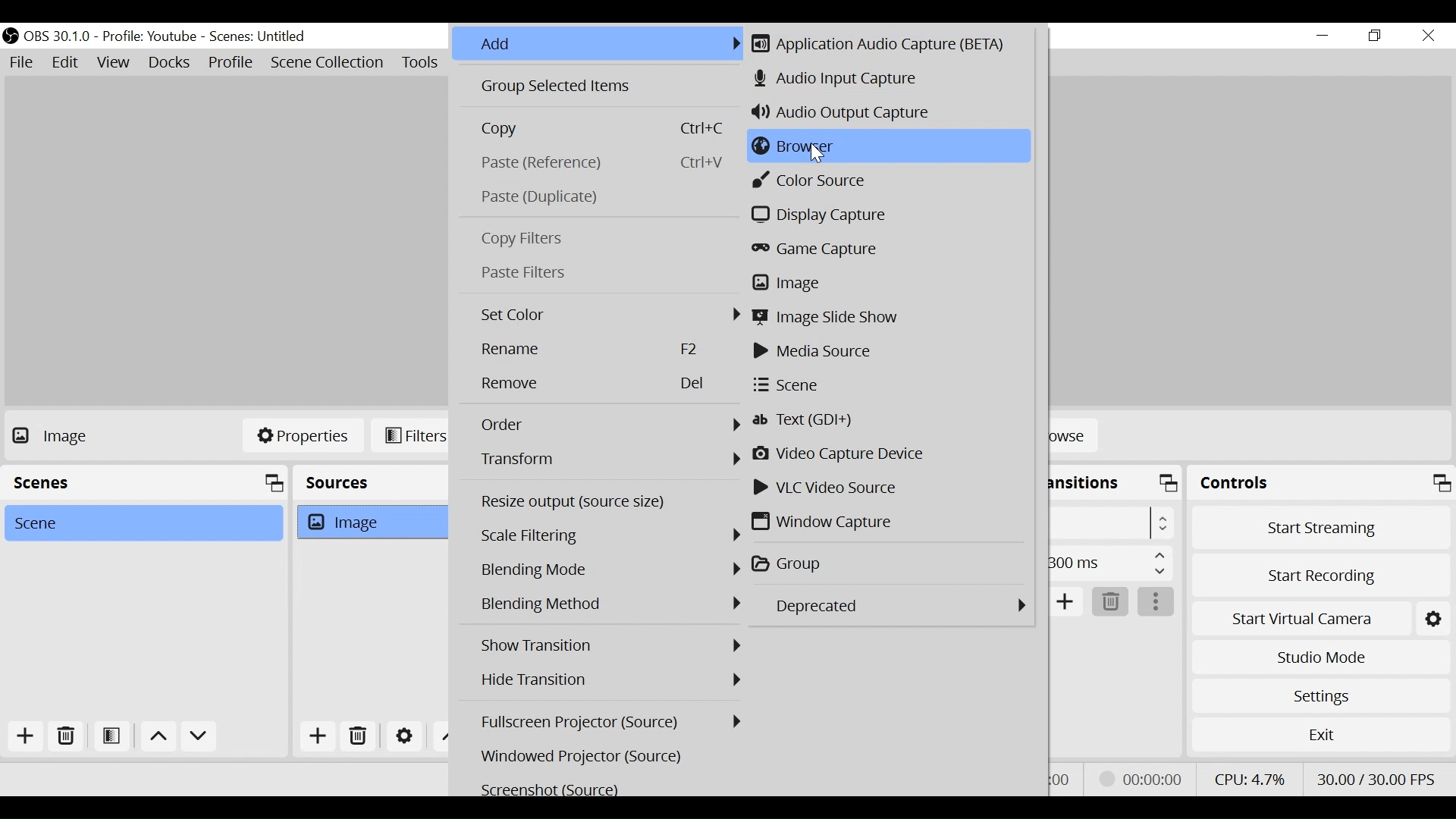  I want to click on Studio Mode, so click(1321, 657).